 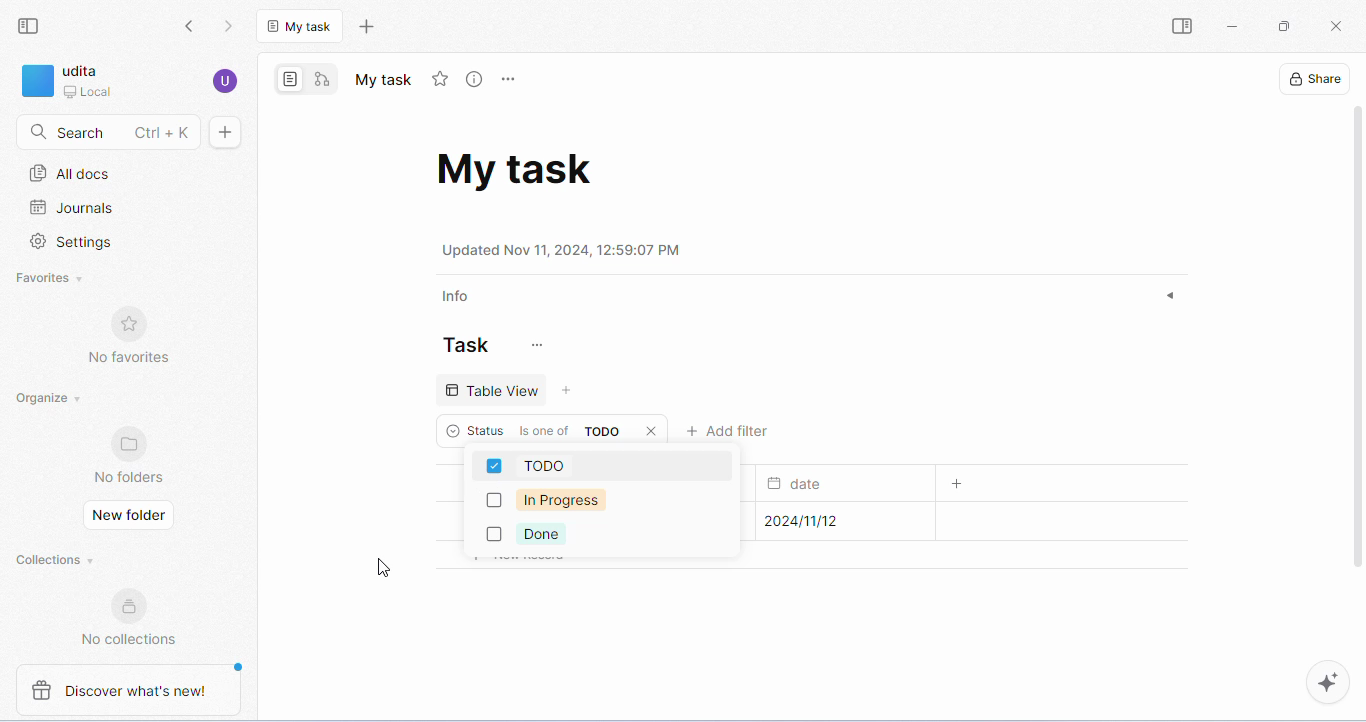 What do you see at coordinates (1326, 682) in the screenshot?
I see `AI assistant` at bounding box center [1326, 682].